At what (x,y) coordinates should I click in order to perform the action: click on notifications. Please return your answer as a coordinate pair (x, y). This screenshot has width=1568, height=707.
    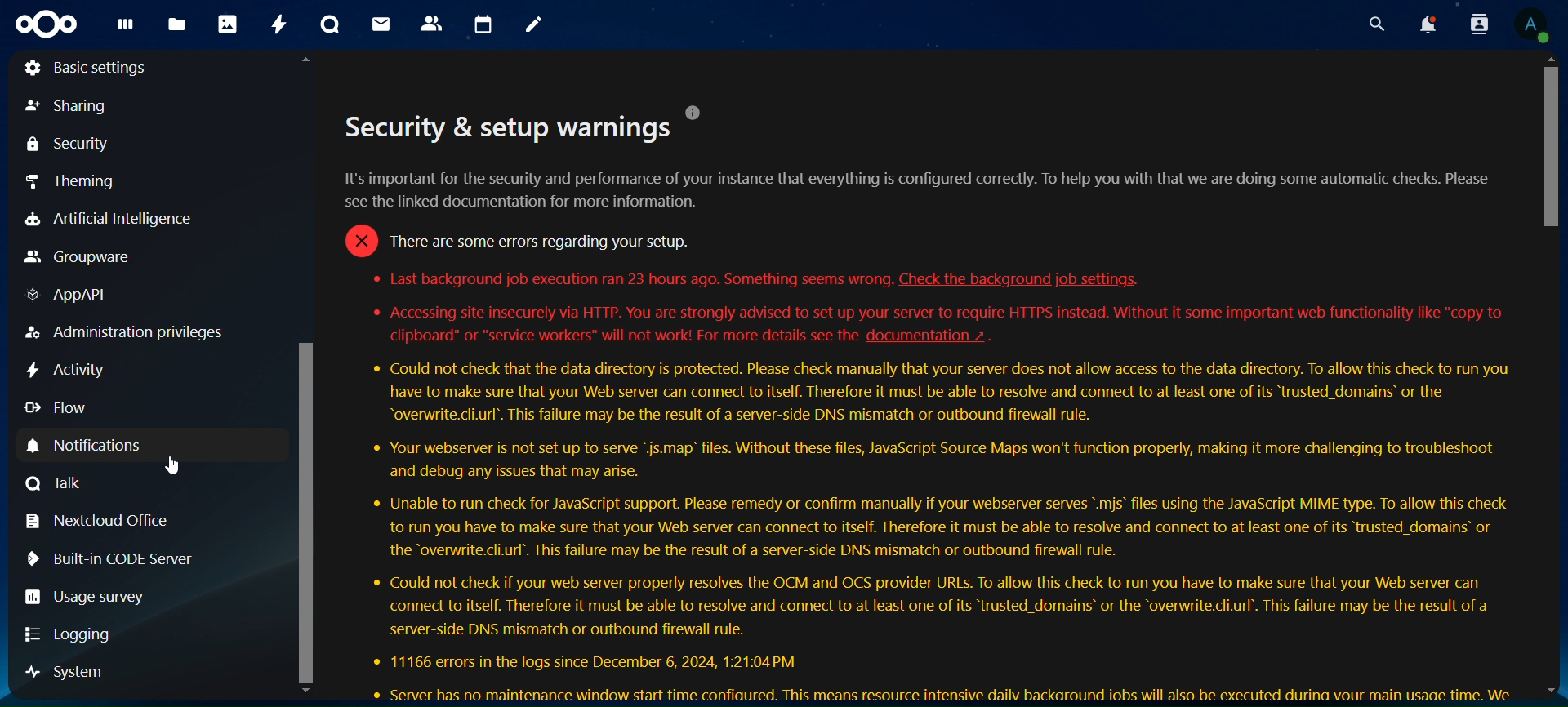
    Looking at the image, I should click on (1426, 24).